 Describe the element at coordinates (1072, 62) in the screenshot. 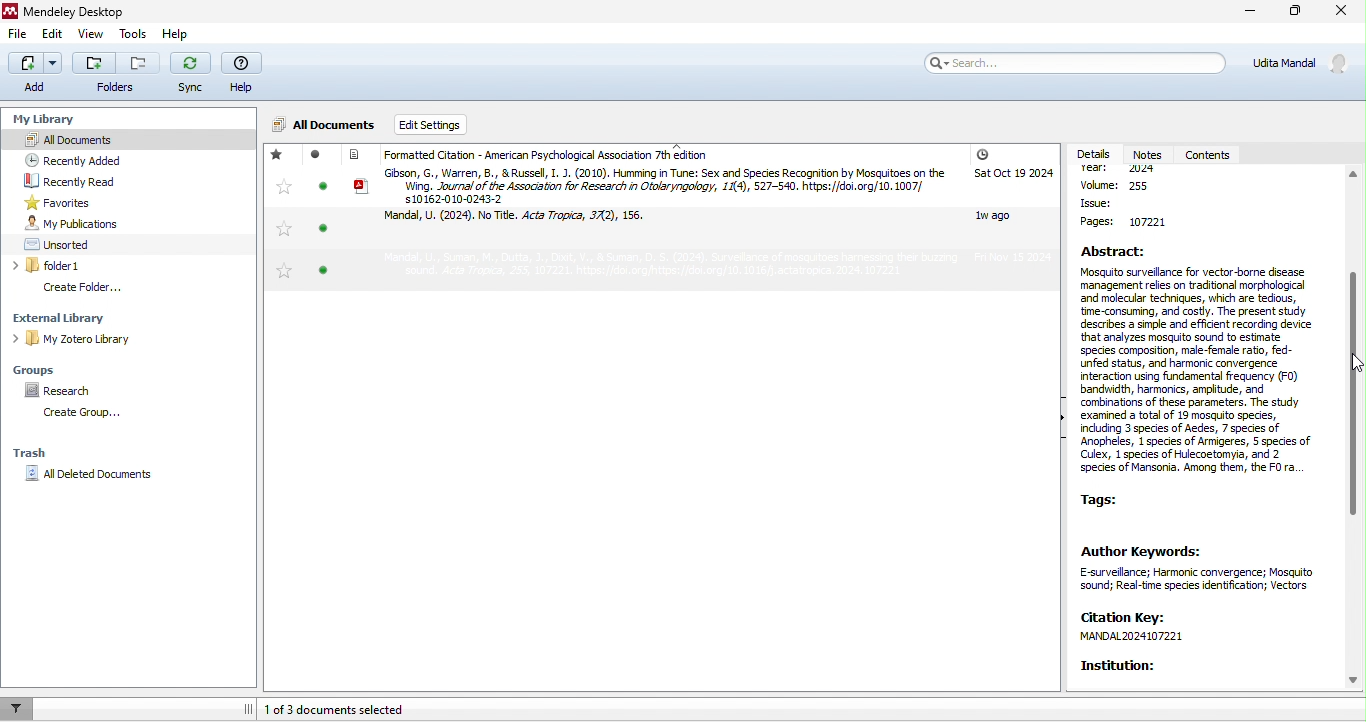

I see `search bar` at that location.